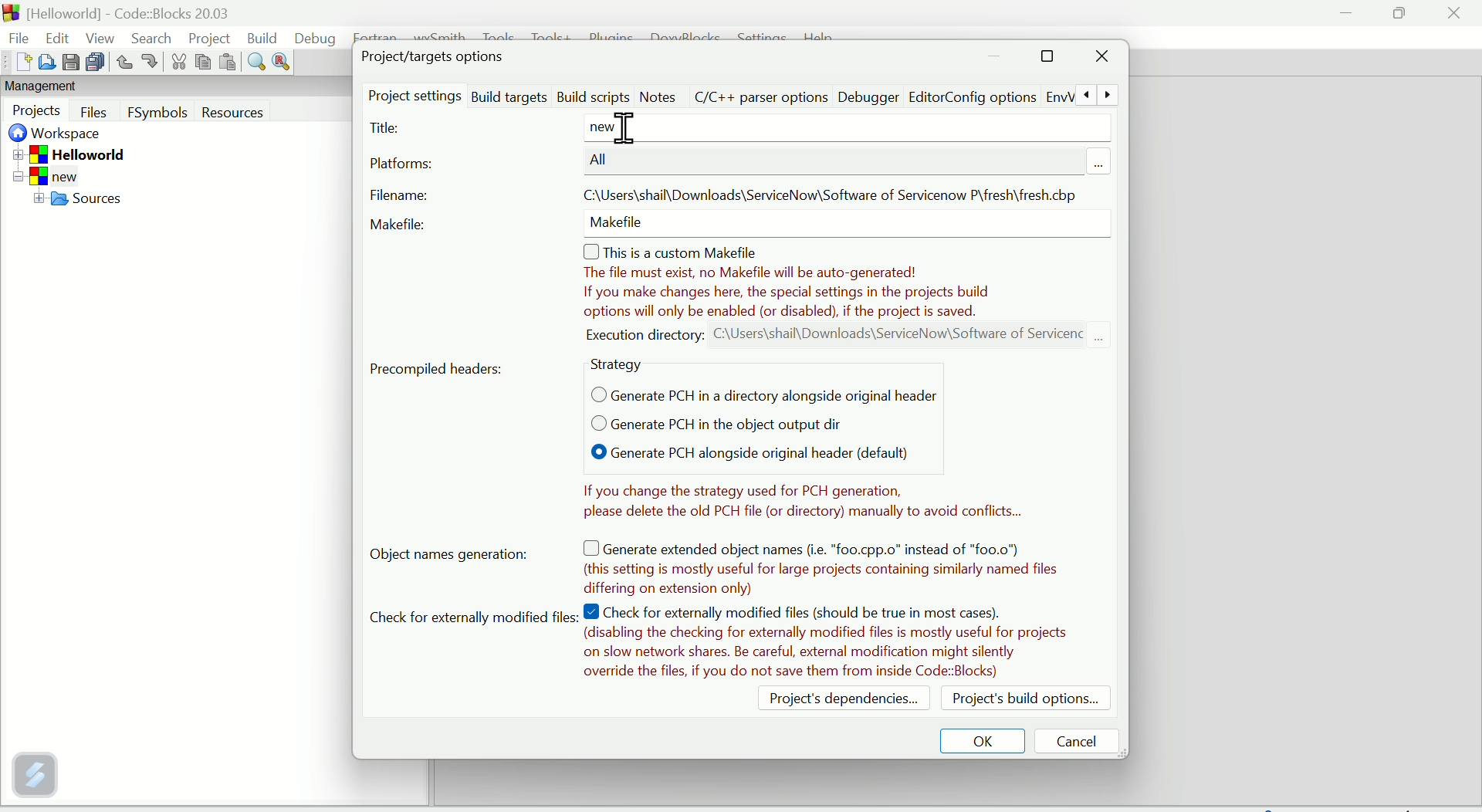 The image size is (1482, 812). What do you see at coordinates (51, 34) in the screenshot?
I see `Edit` at bounding box center [51, 34].